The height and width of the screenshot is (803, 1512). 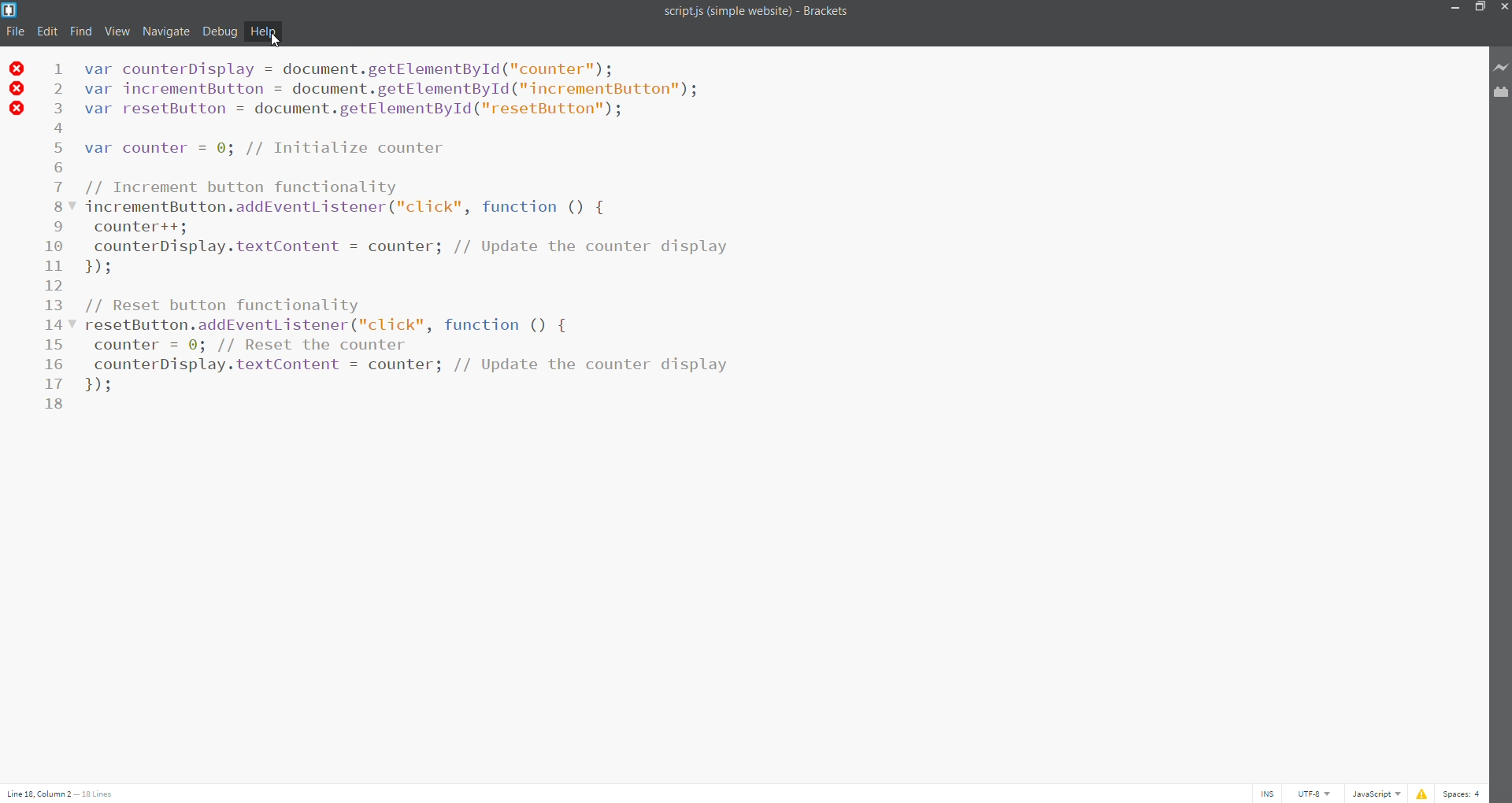 What do you see at coordinates (13, 31) in the screenshot?
I see `file` at bounding box center [13, 31].